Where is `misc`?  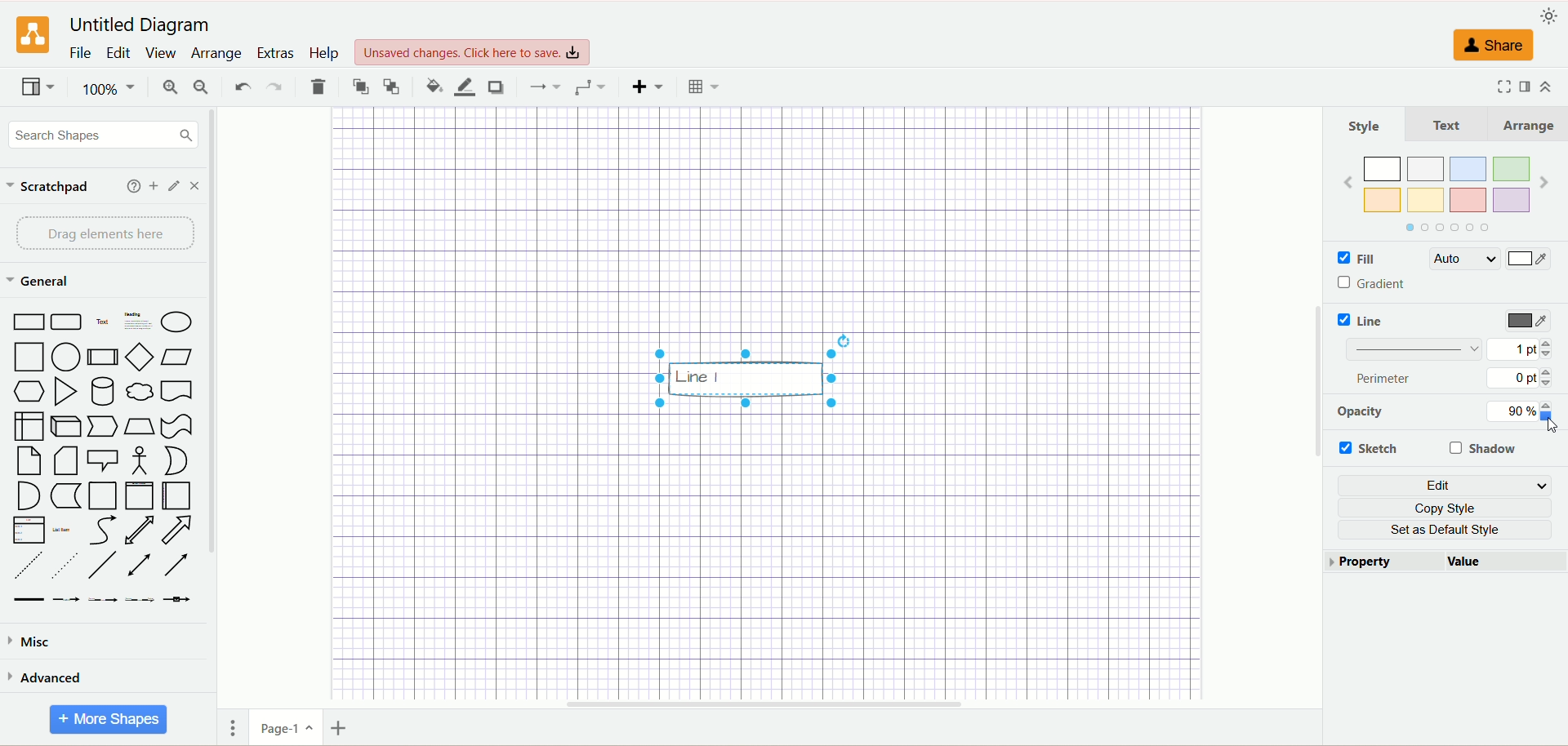 misc is located at coordinates (38, 642).